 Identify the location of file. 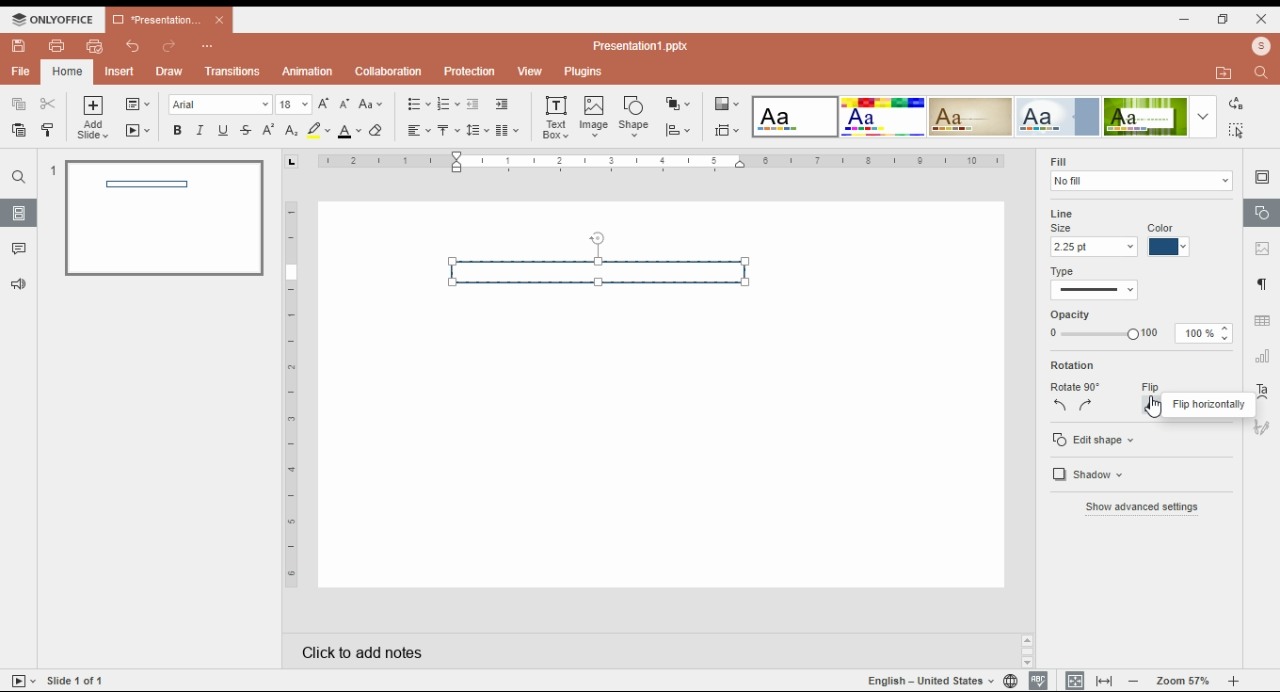
(20, 71).